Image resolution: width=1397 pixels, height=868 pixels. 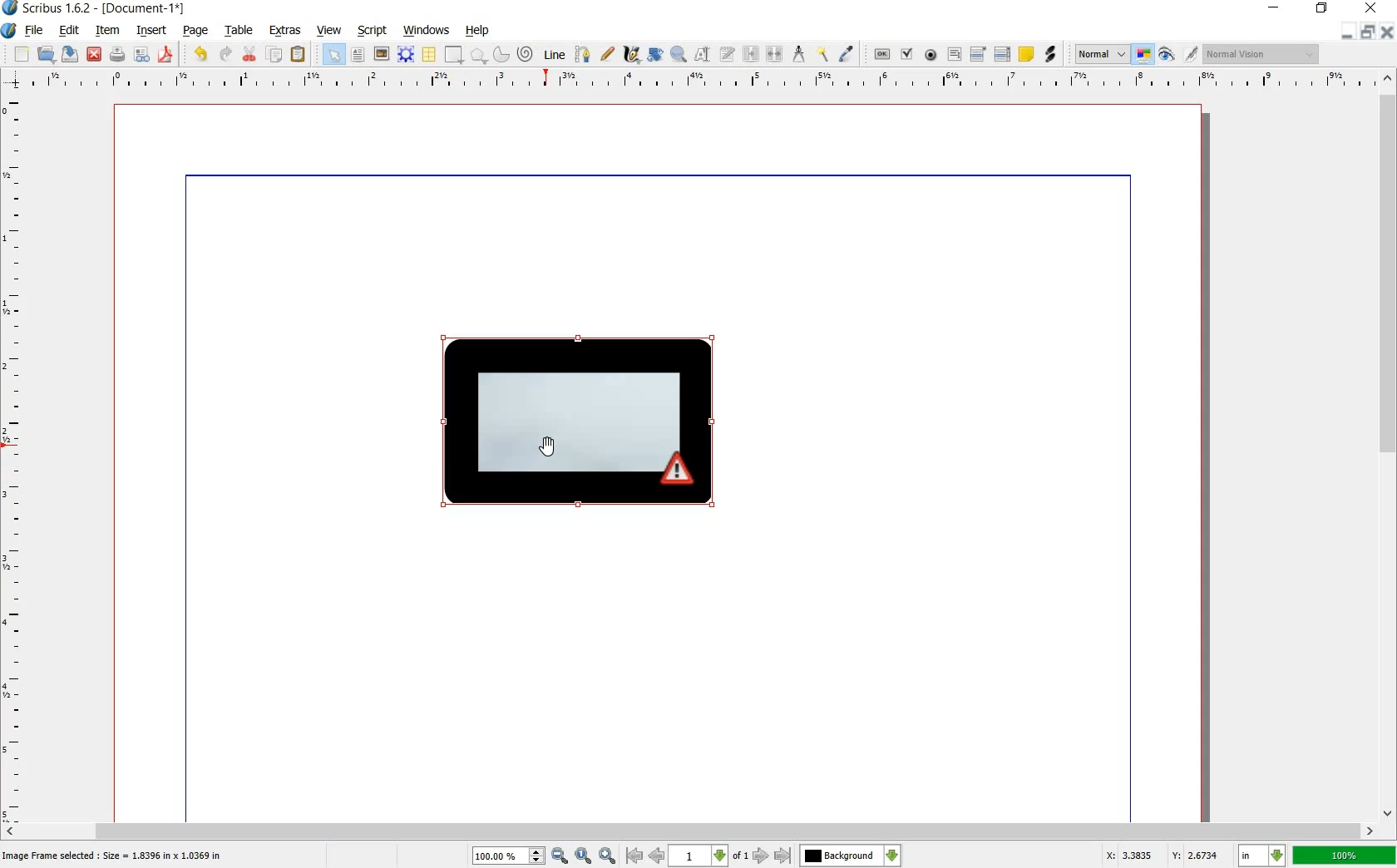 What do you see at coordinates (847, 53) in the screenshot?
I see `eye dropper` at bounding box center [847, 53].